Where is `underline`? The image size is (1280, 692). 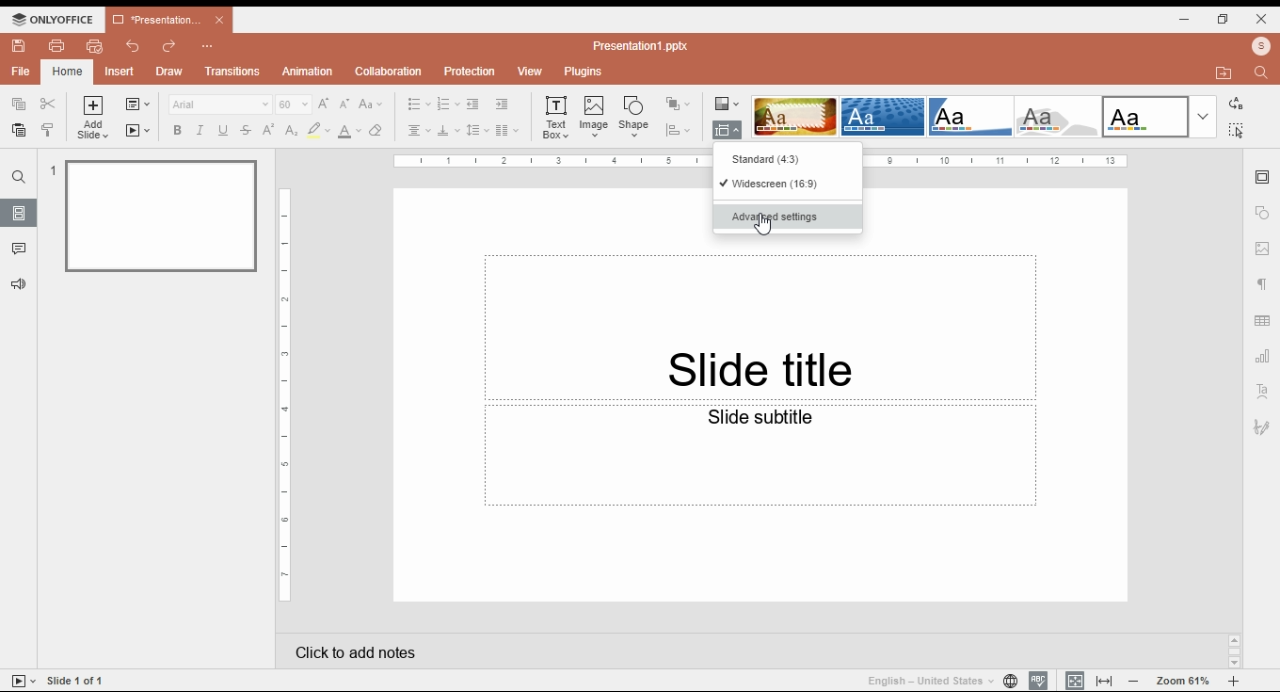
underline is located at coordinates (222, 130).